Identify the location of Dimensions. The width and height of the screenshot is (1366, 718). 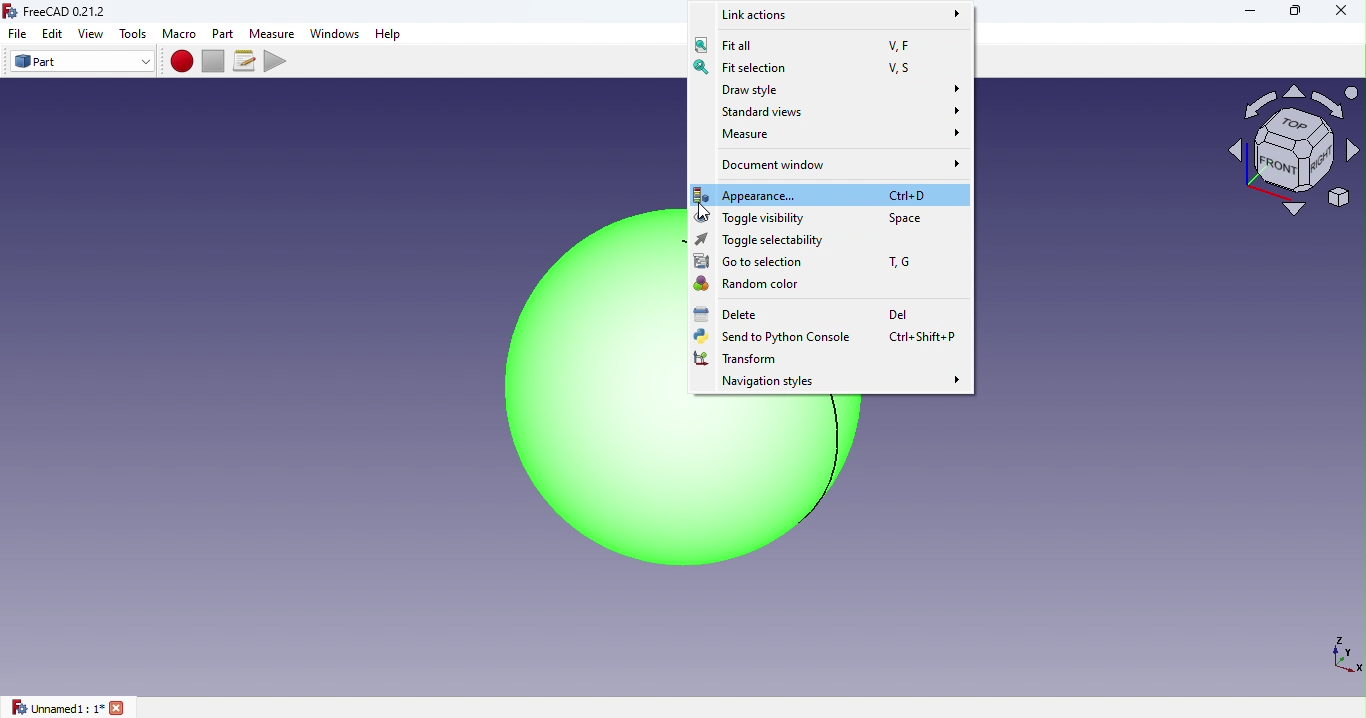
(1342, 653).